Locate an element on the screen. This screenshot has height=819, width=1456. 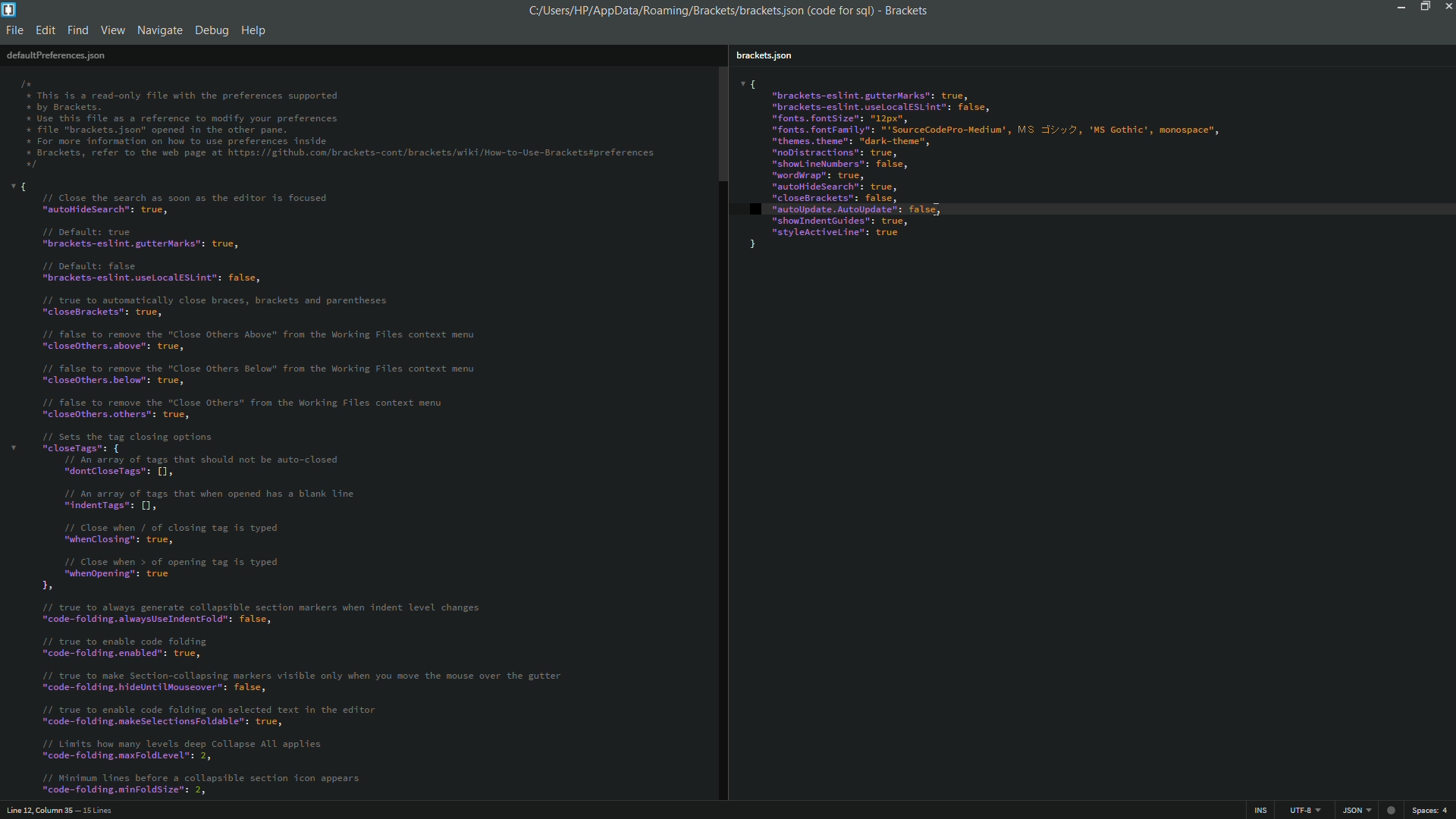
Line 12, Column 35 — 15 Lines. is located at coordinates (58, 808).